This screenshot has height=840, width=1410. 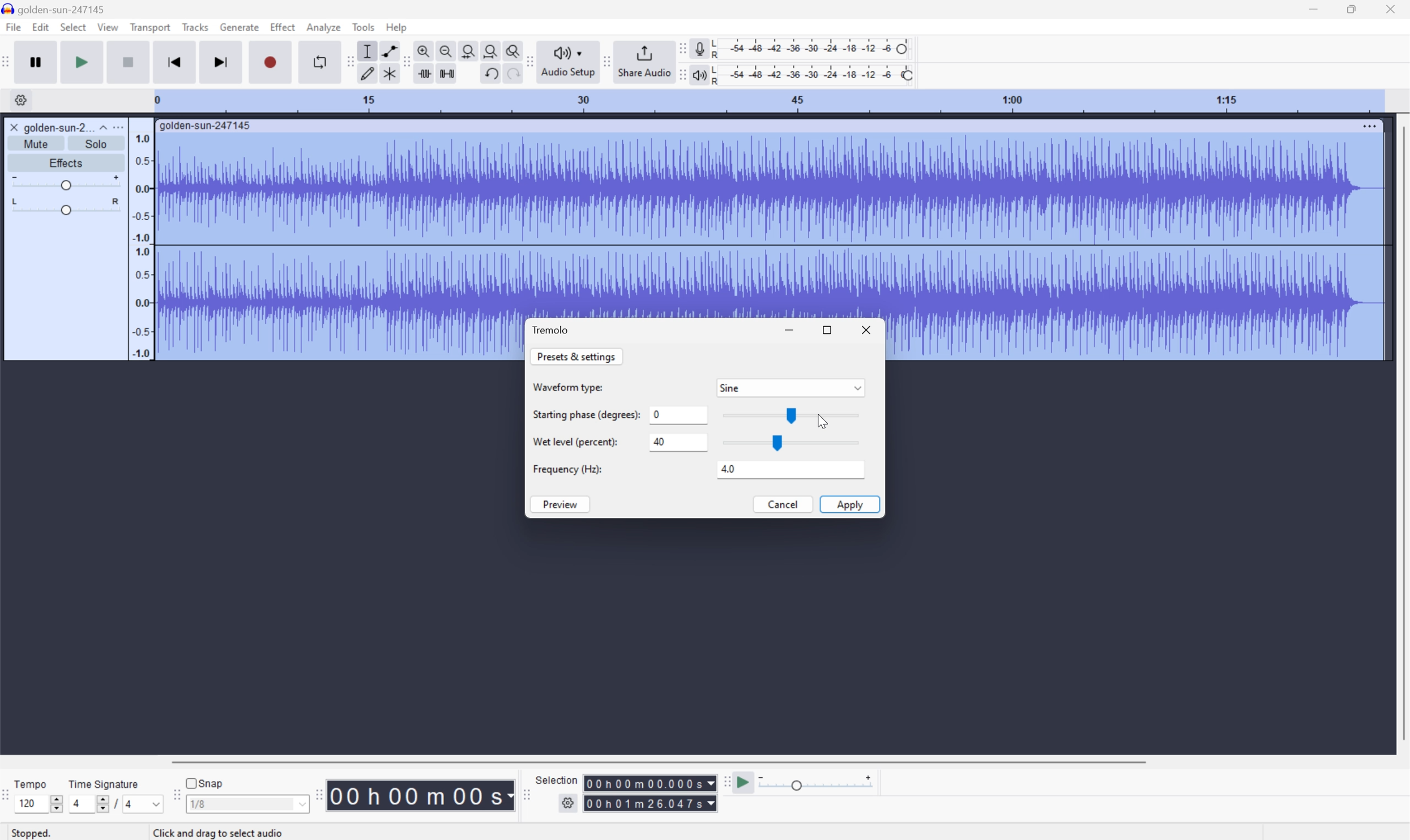 I want to click on Restore Down, so click(x=827, y=329).